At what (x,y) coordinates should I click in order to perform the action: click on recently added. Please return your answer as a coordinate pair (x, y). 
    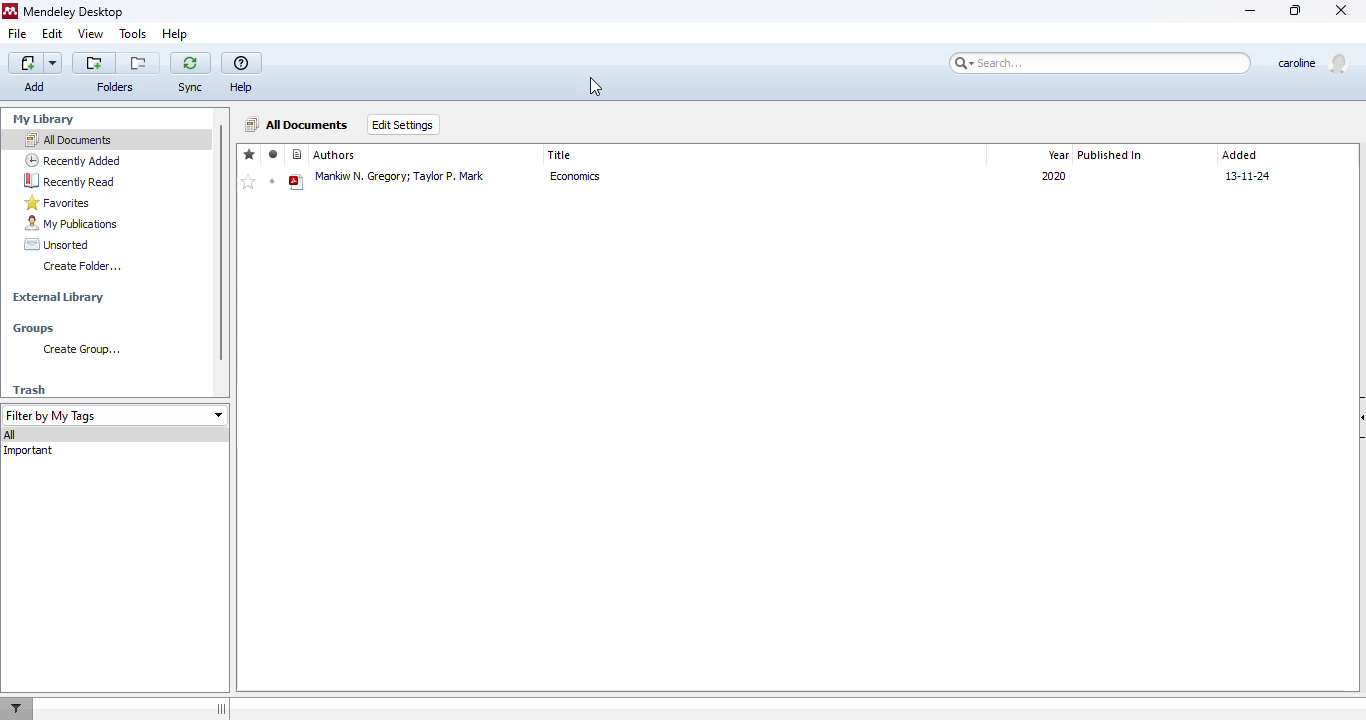
    Looking at the image, I should click on (73, 160).